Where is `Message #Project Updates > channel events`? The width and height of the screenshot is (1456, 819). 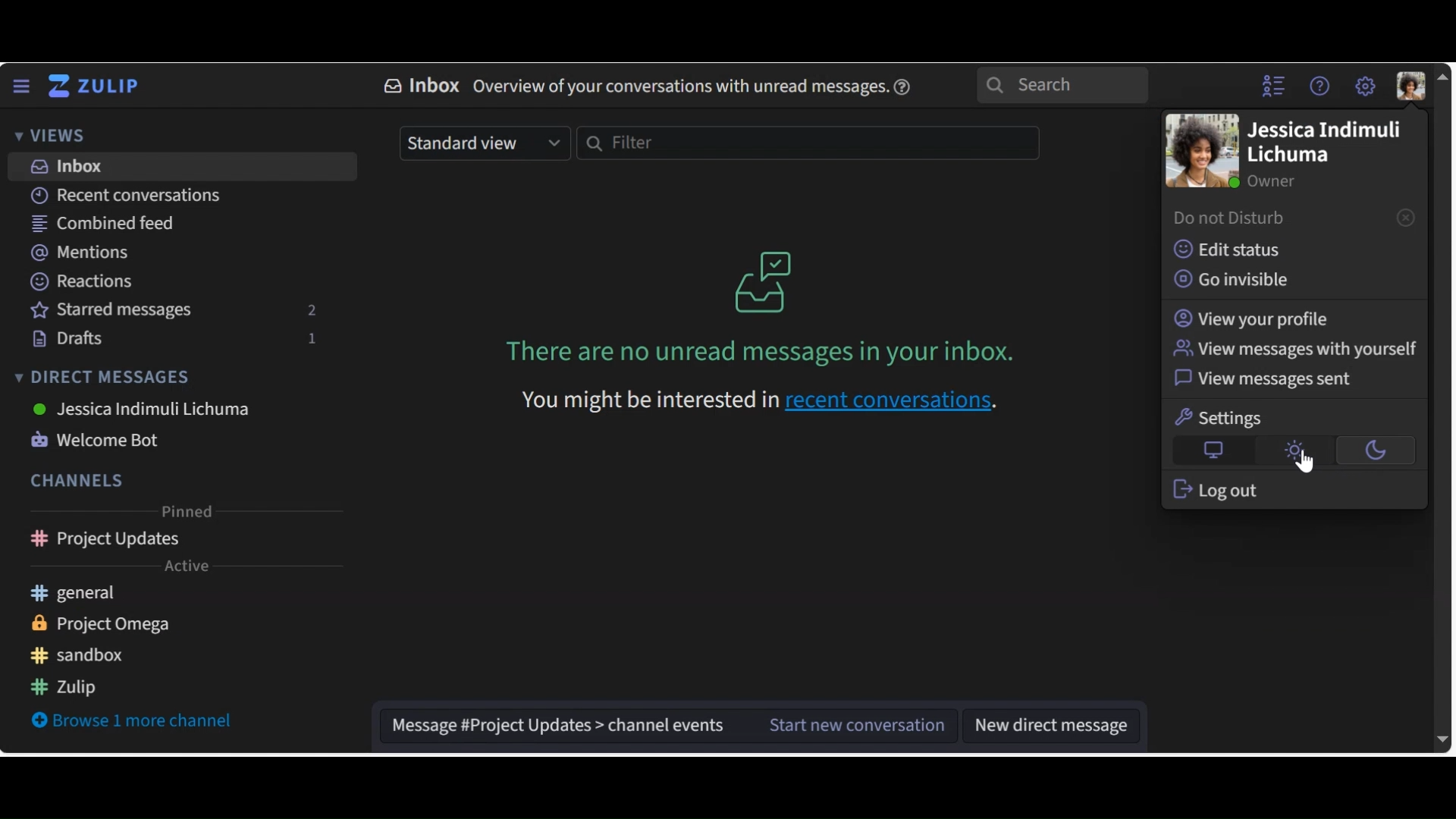 Message #Project Updates > channel events is located at coordinates (553, 726).